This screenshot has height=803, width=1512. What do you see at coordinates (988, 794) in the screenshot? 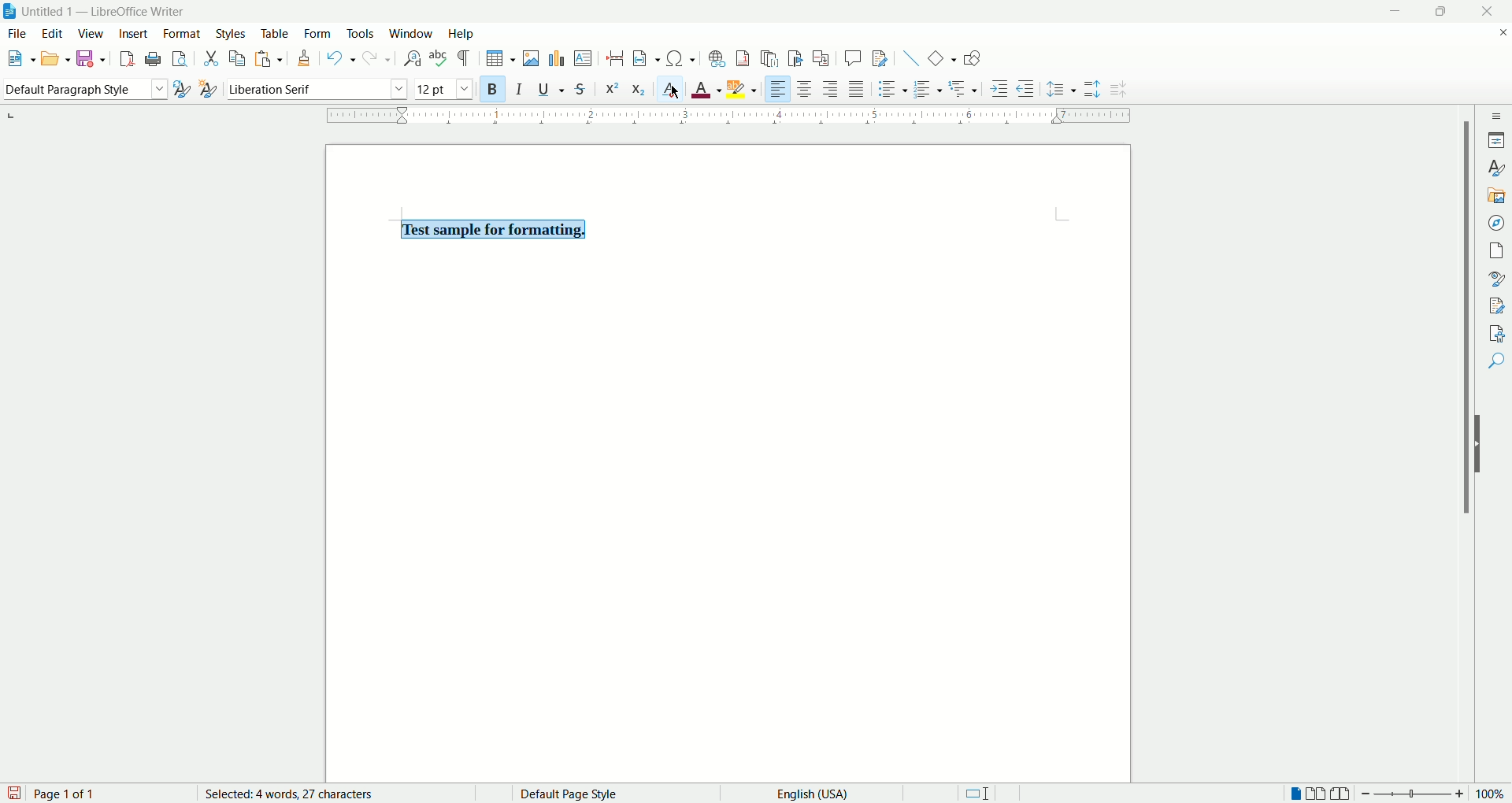
I see `standard selection` at bounding box center [988, 794].